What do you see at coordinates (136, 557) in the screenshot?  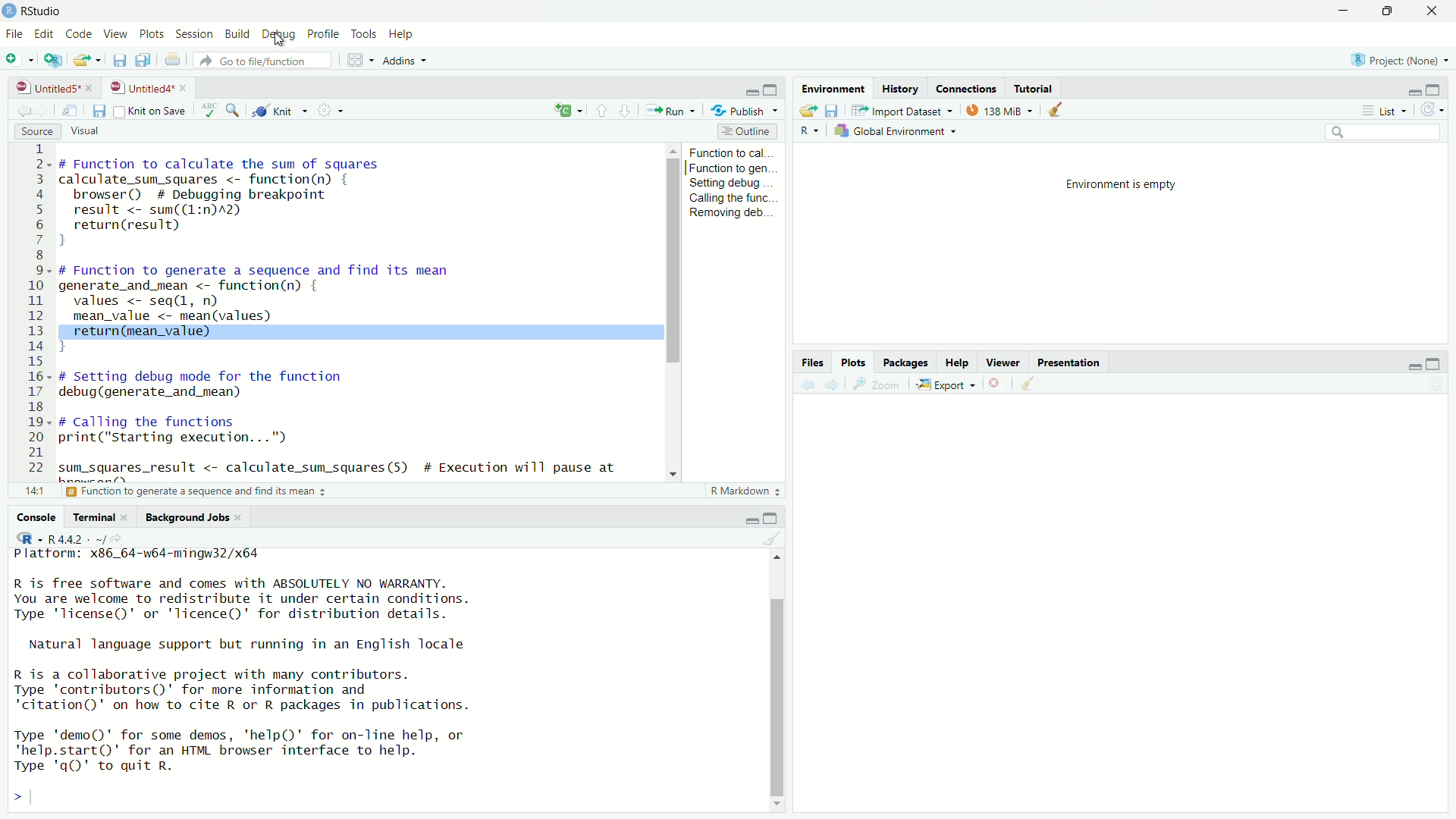 I see `platform` at bounding box center [136, 557].